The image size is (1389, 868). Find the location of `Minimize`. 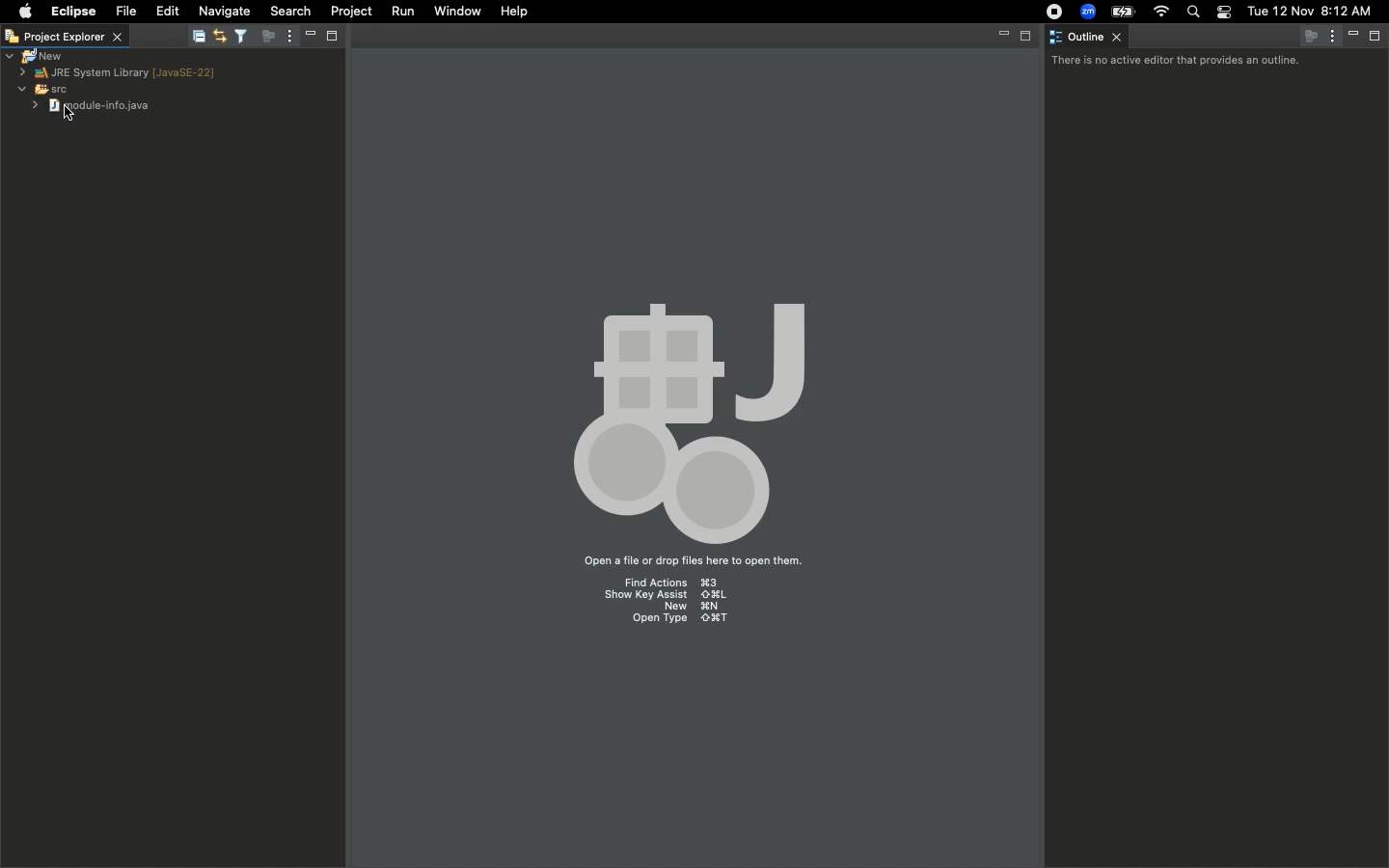

Minimize is located at coordinates (1000, 35).